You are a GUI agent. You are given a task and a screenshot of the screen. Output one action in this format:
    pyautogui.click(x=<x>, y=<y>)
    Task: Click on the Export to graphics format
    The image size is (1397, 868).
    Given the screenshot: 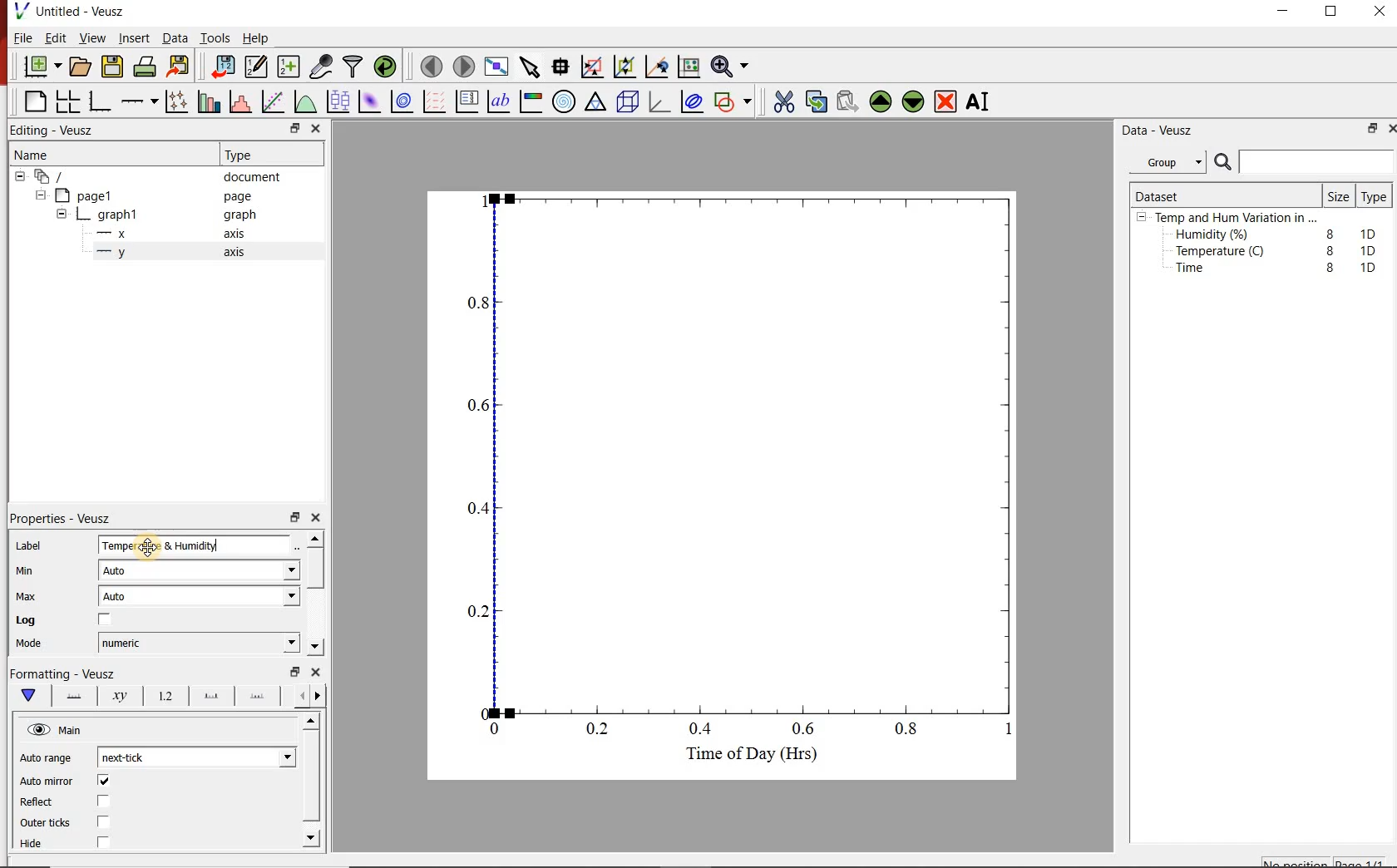 What is the action you would take?
    pyautogui.click(x=180, y=66)
    